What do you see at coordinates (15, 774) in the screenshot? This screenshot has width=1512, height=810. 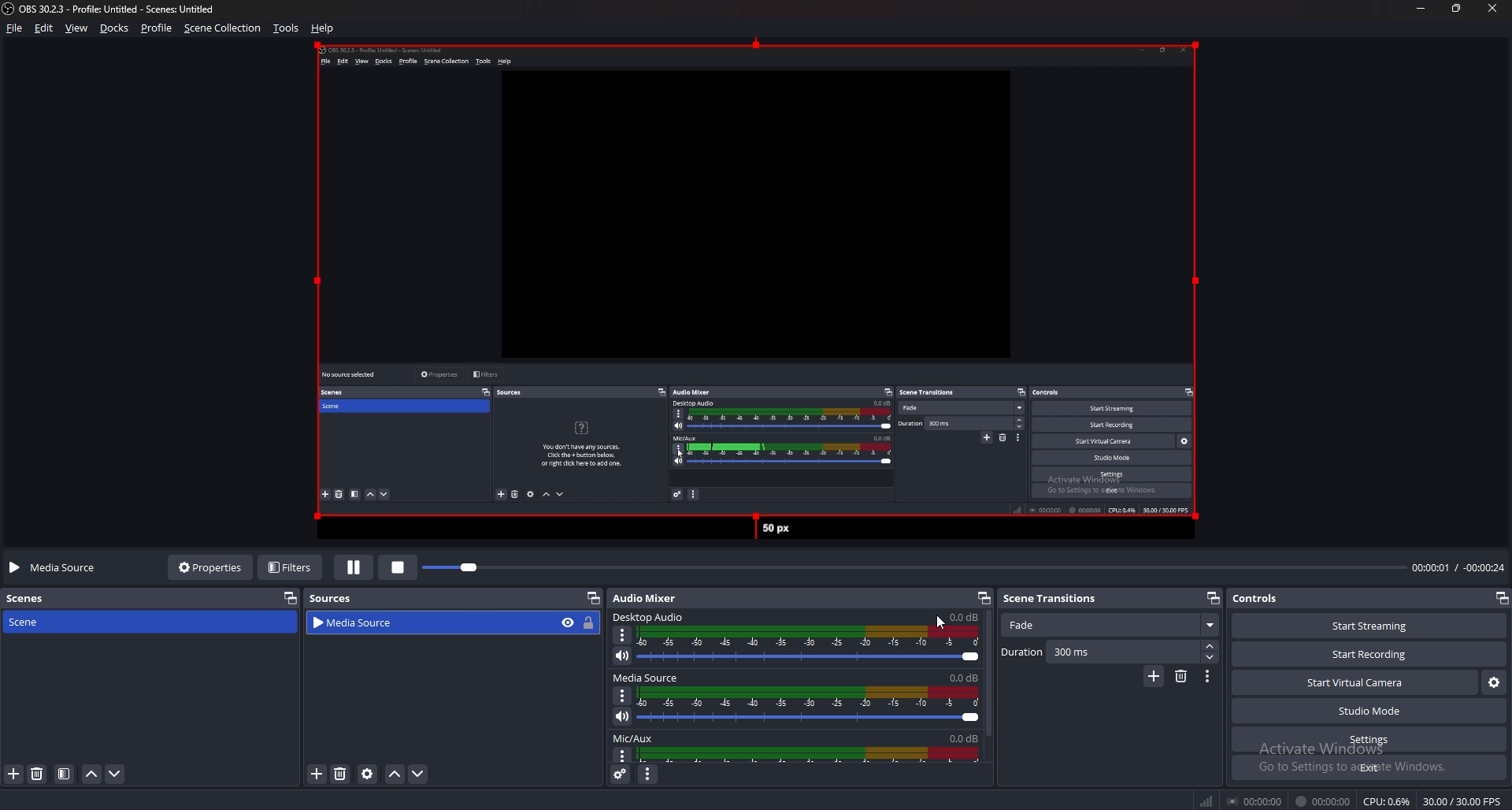 I see `add scene` at bounding box center [15, 774].